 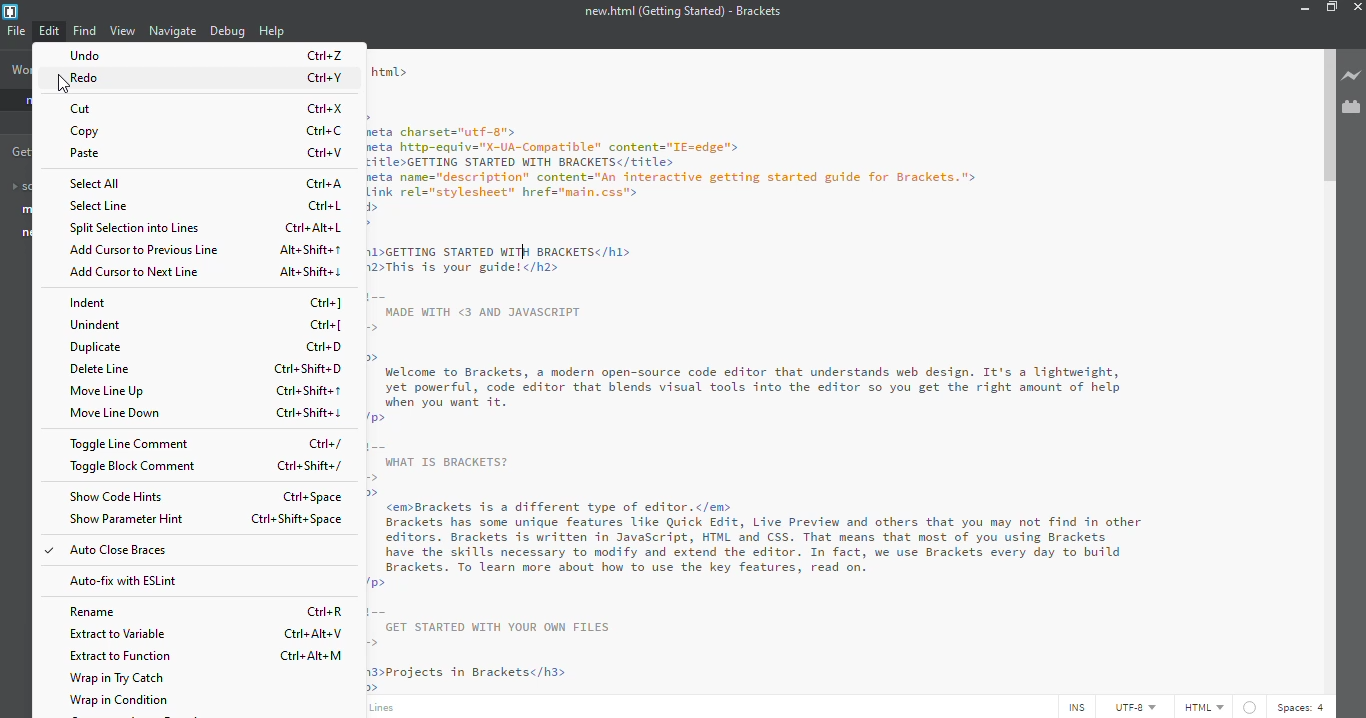 What do you see at coordinates (84, 31) in the screenshot?
I see `find` at bounding box center [84, 31].